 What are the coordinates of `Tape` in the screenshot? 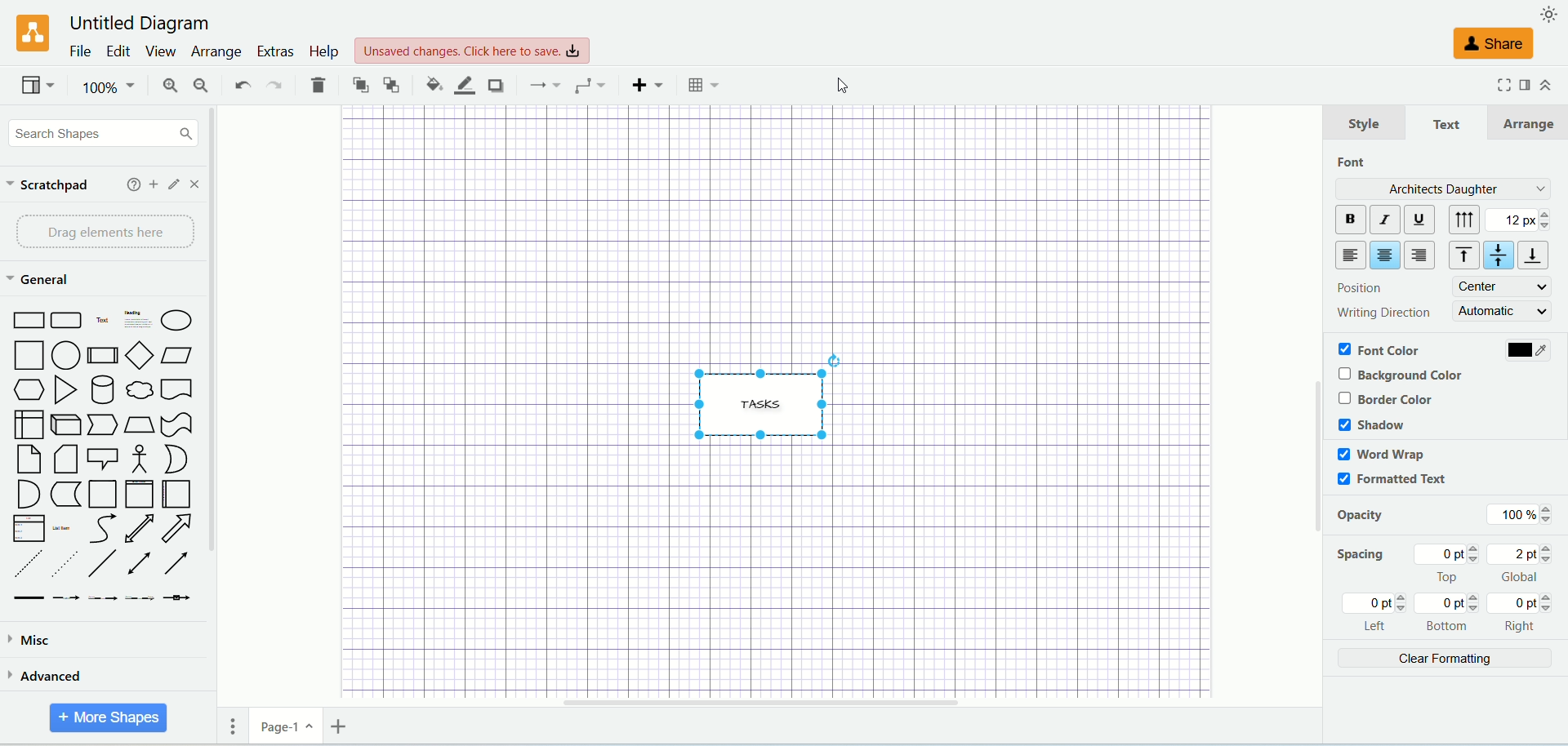 It's located at (176, 425).